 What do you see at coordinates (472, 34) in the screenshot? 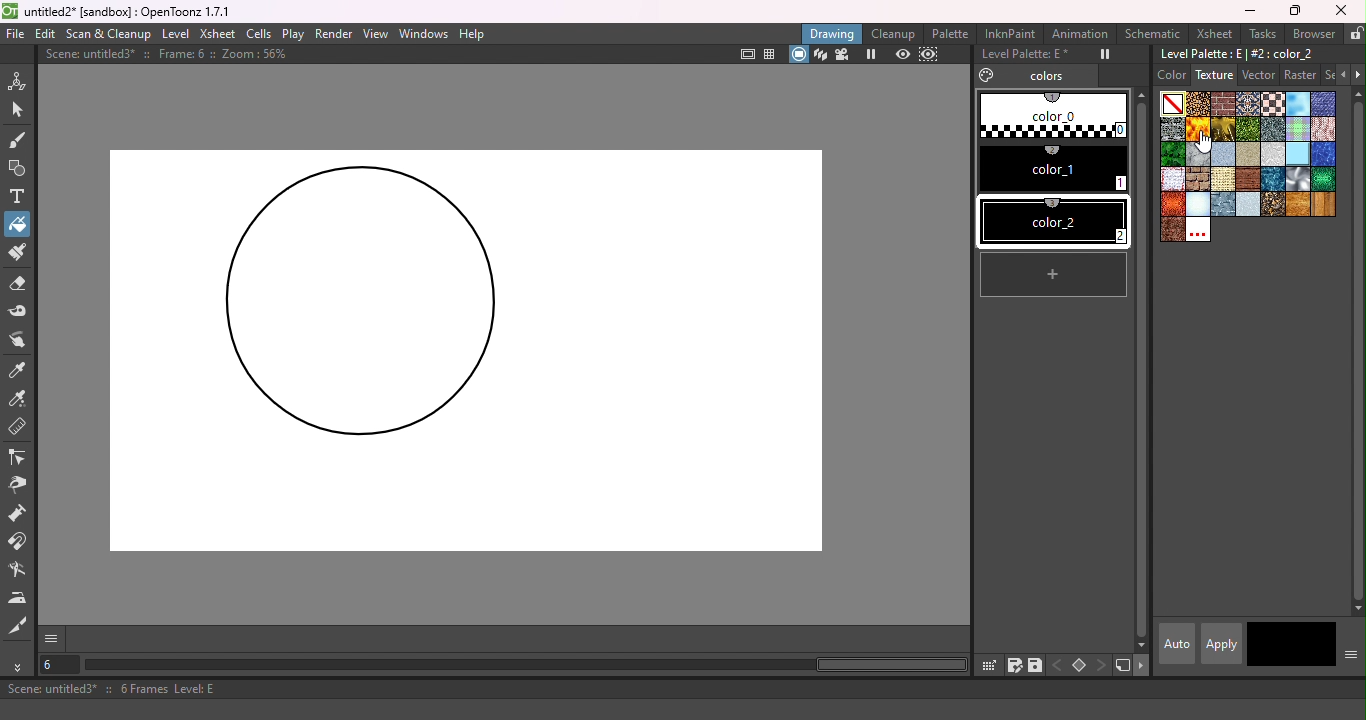
I see `Help` at bounding box center [472, 34].